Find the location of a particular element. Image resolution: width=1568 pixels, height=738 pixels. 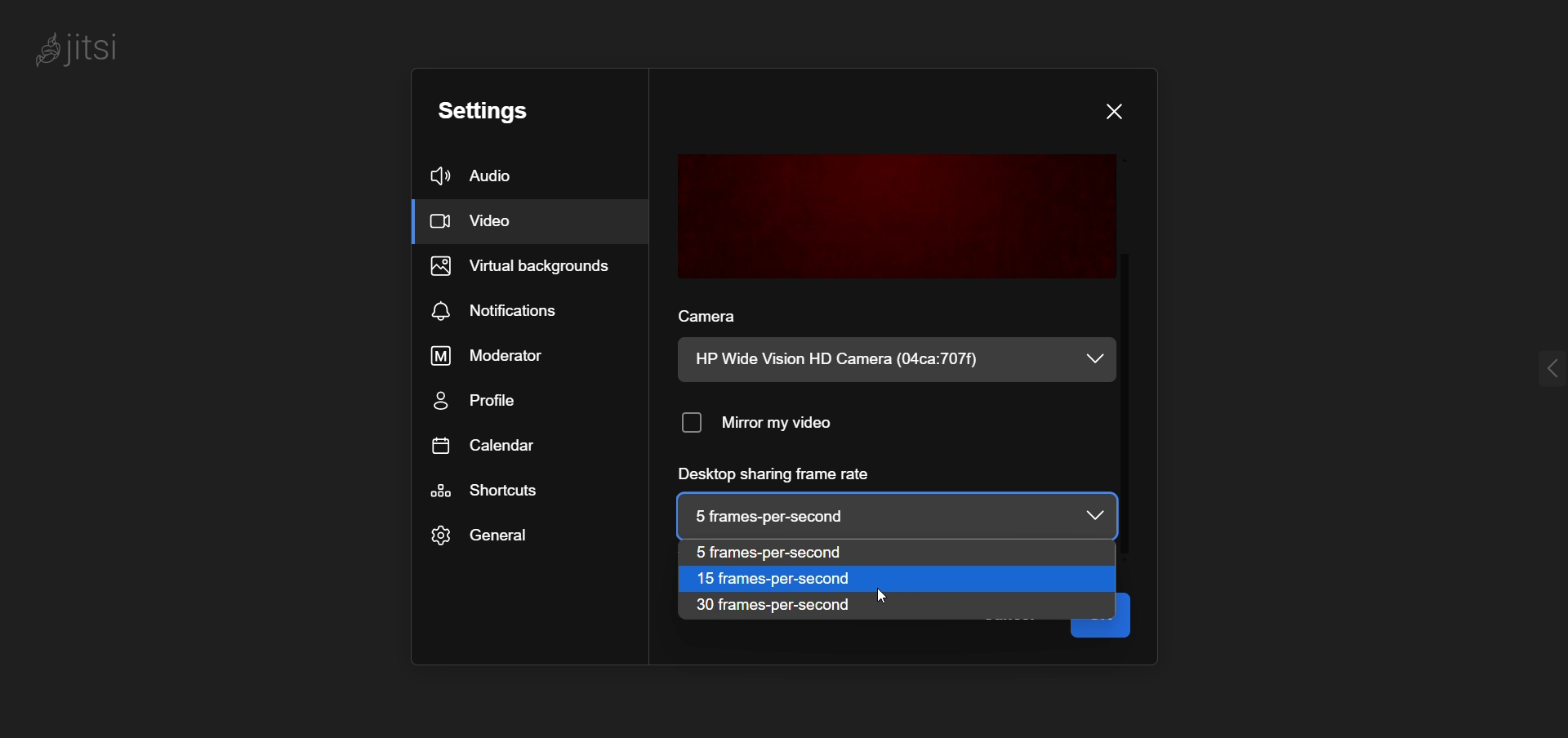

HP Wide Vision HD Camera (04ca:707f) is located at coordinates (836, 359).